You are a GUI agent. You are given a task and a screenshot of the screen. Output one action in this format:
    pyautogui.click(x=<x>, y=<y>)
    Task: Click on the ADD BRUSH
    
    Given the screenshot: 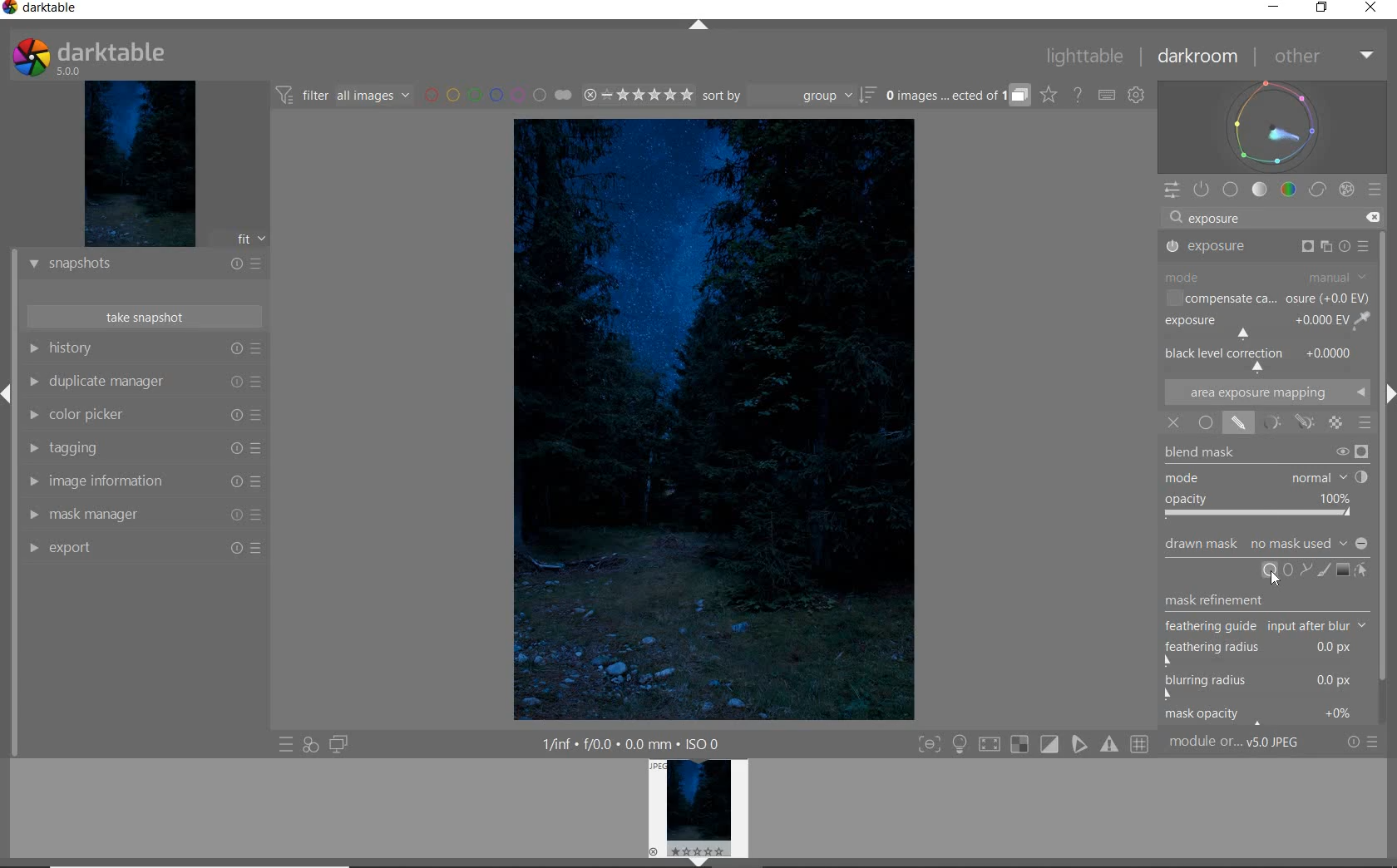 What is the action you would take?
    pyautogui.click(x=1324, y=569)
    